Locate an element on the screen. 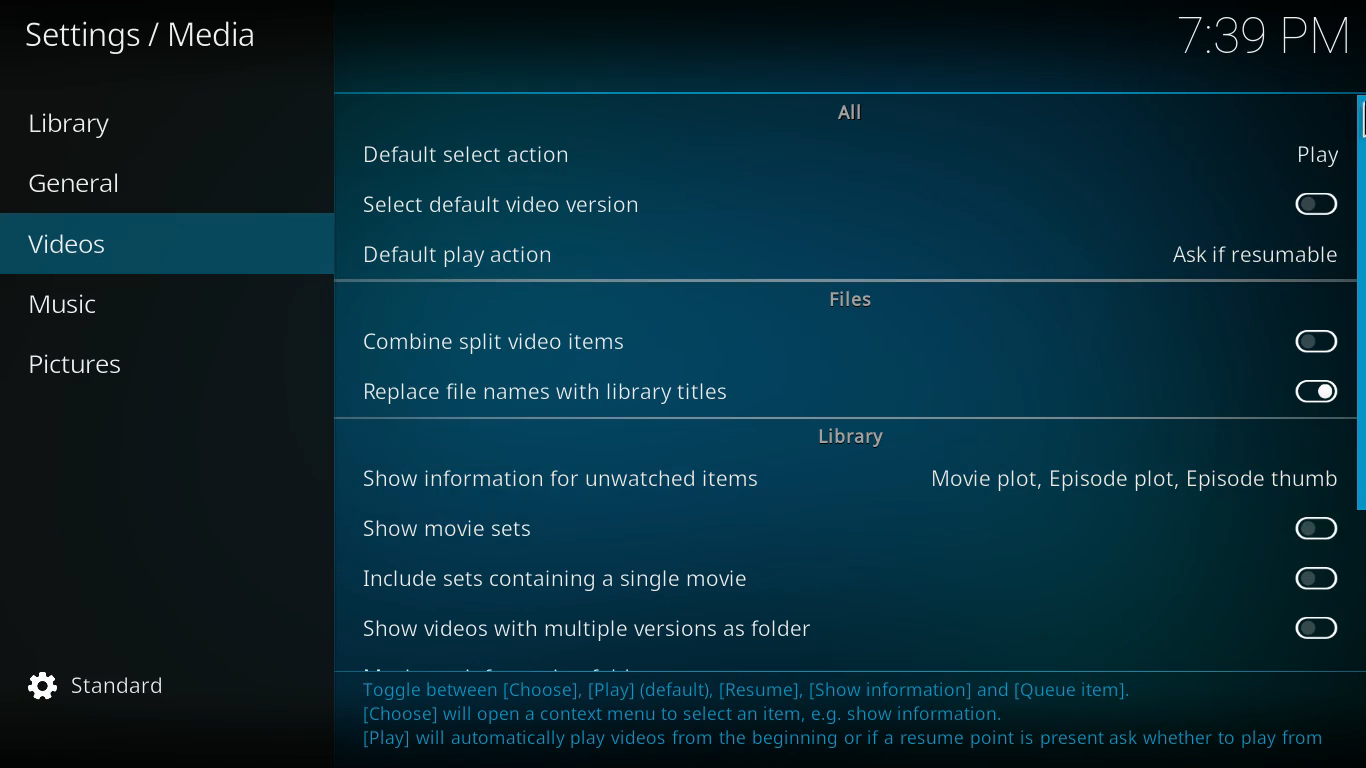 The height and width of the screenshot is (768, 1366). combine split video is located at coordinates (505, 339).